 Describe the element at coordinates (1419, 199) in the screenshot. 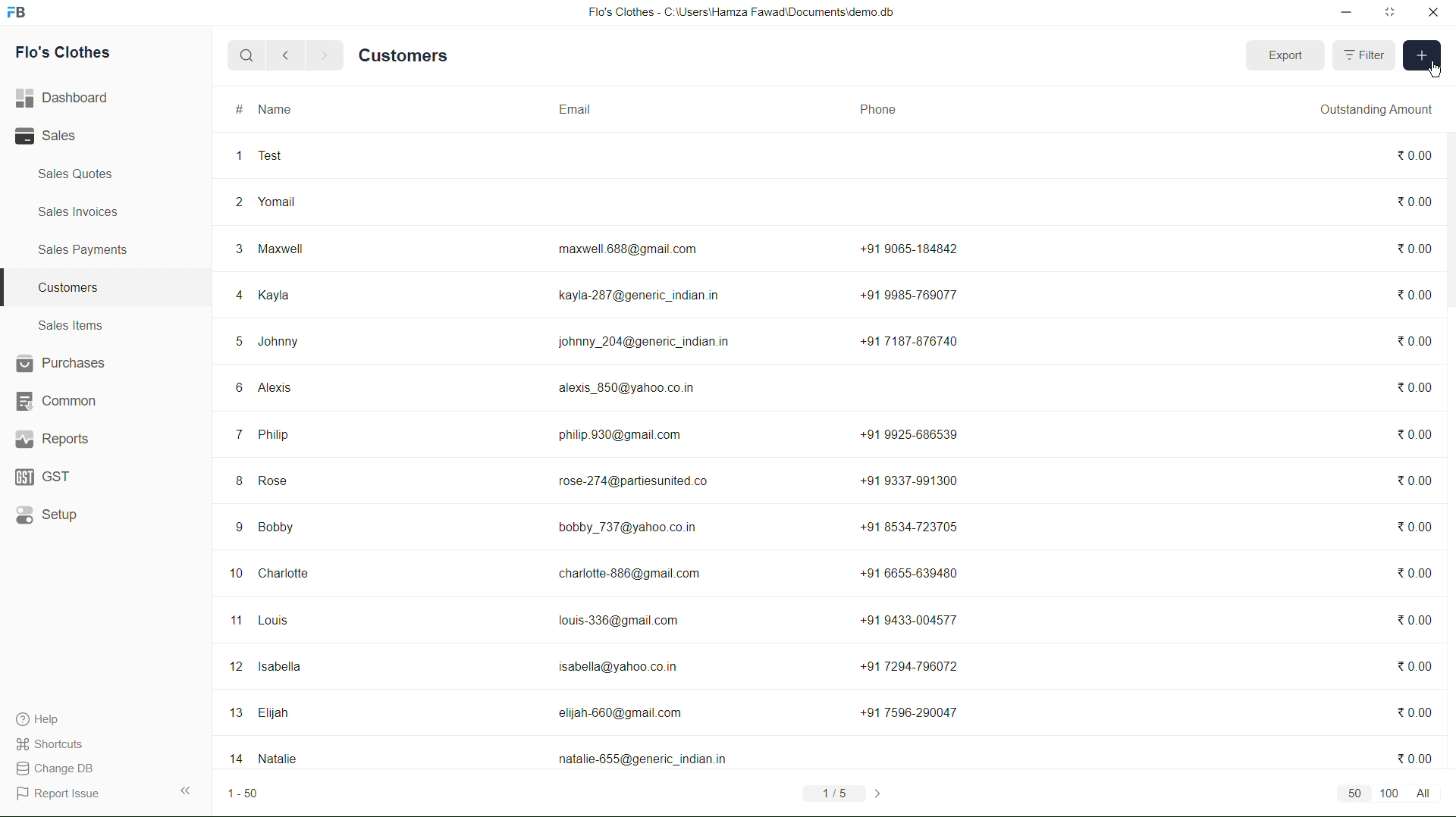

I see `0.00` at that location.